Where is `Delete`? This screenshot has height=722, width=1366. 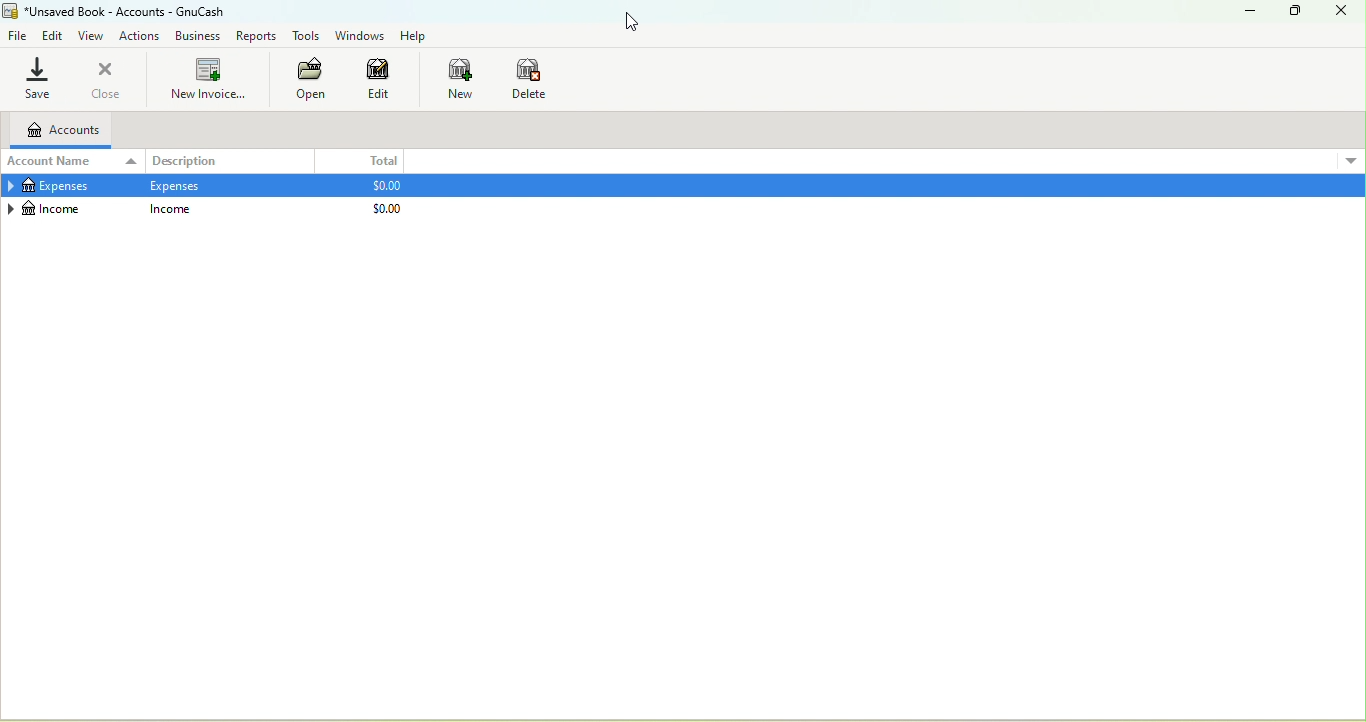 Delete is located at coordinates (530, 78).